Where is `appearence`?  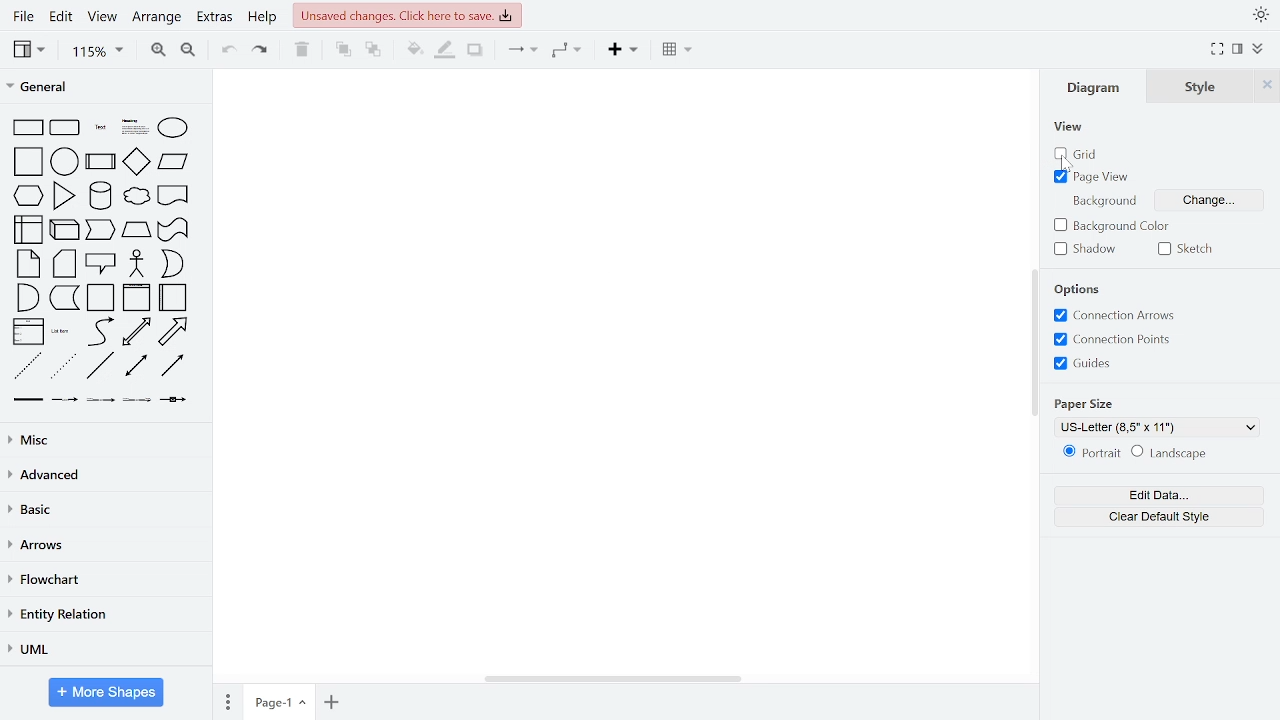
appearence is located at coordinates (1260, 14).